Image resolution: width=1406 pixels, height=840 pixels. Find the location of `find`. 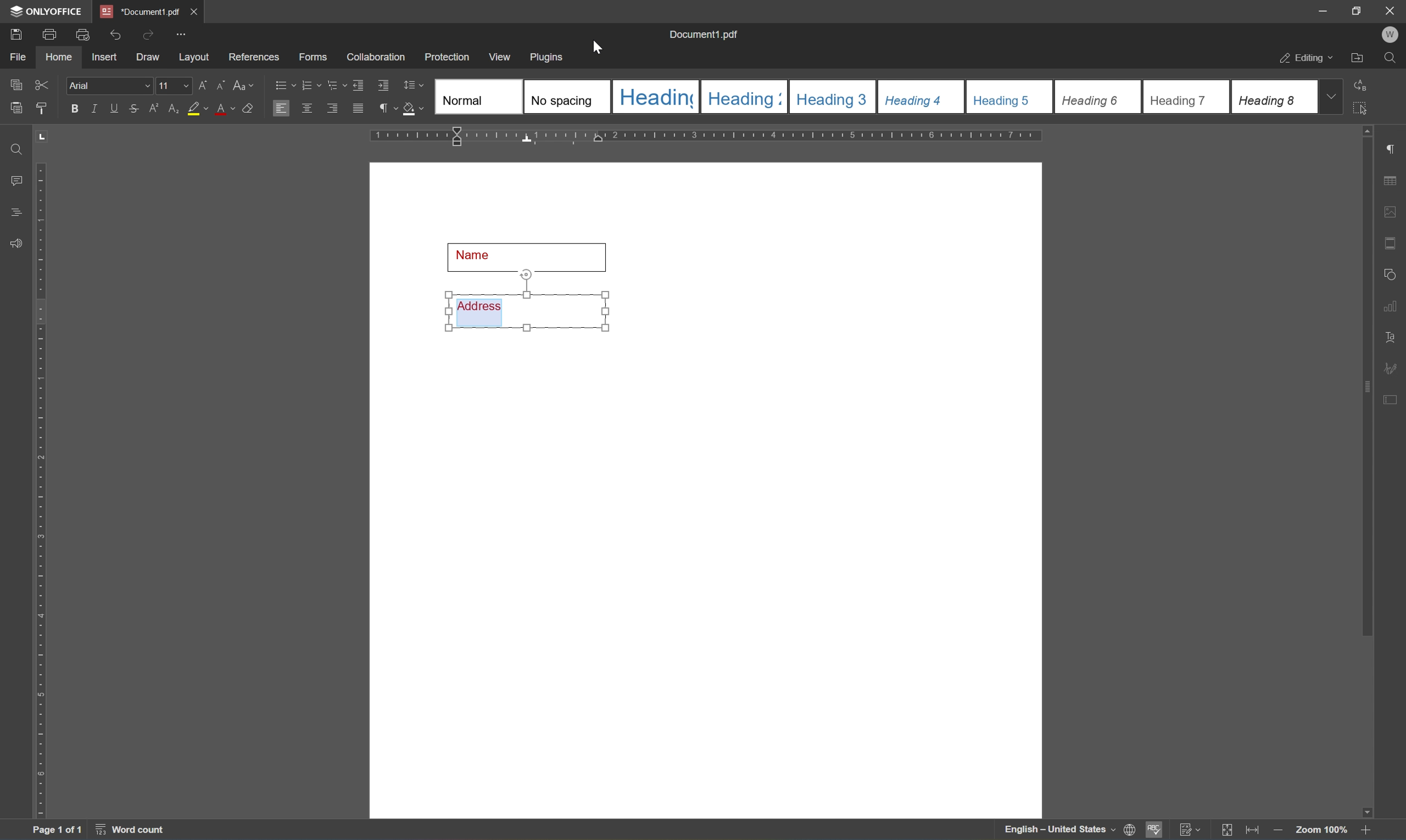

find is located at coordinates (12, 147).